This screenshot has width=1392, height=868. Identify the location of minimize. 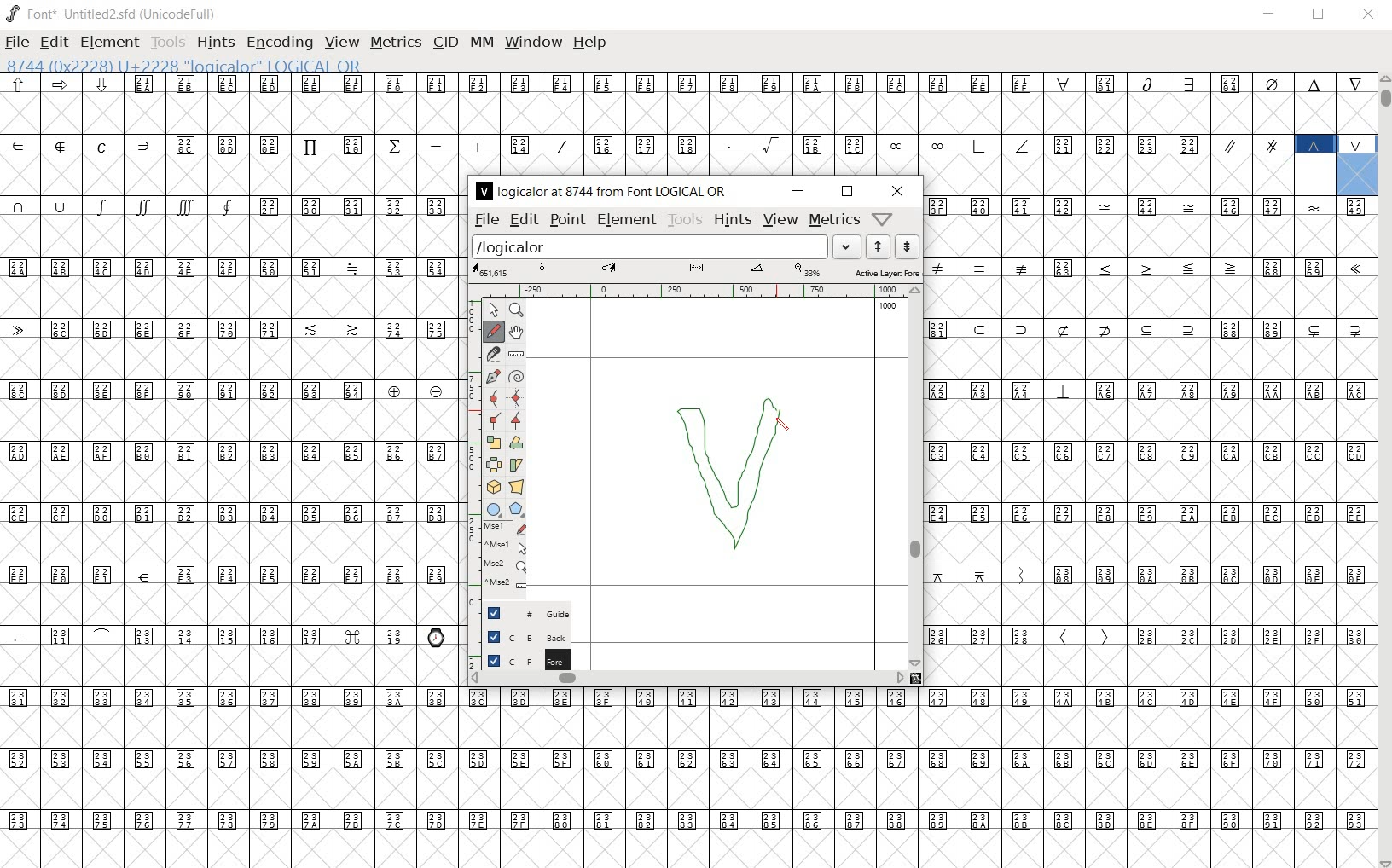
(799, 189).